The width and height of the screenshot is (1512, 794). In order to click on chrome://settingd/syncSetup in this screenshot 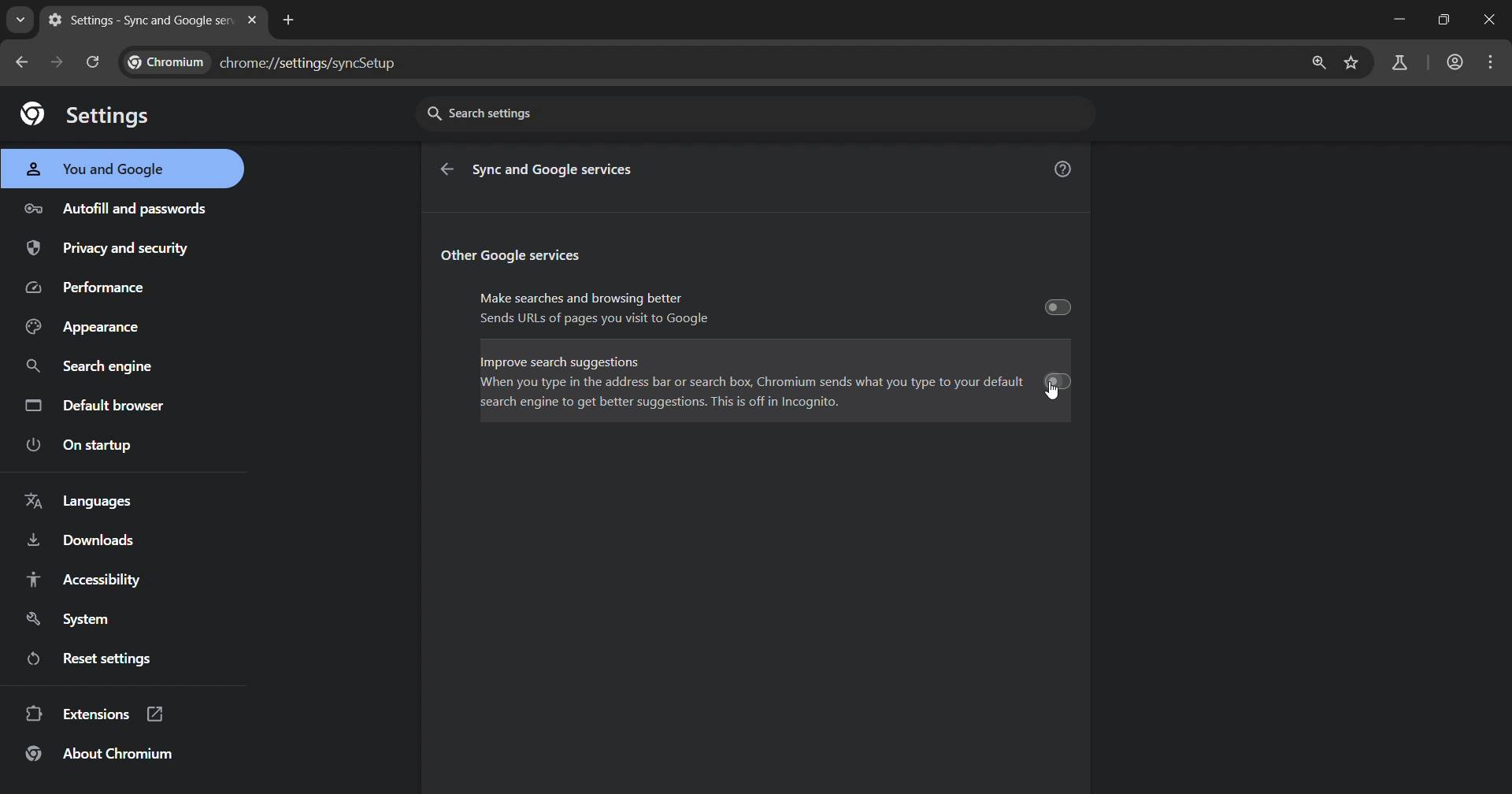, I will do `click(265, 61)`.